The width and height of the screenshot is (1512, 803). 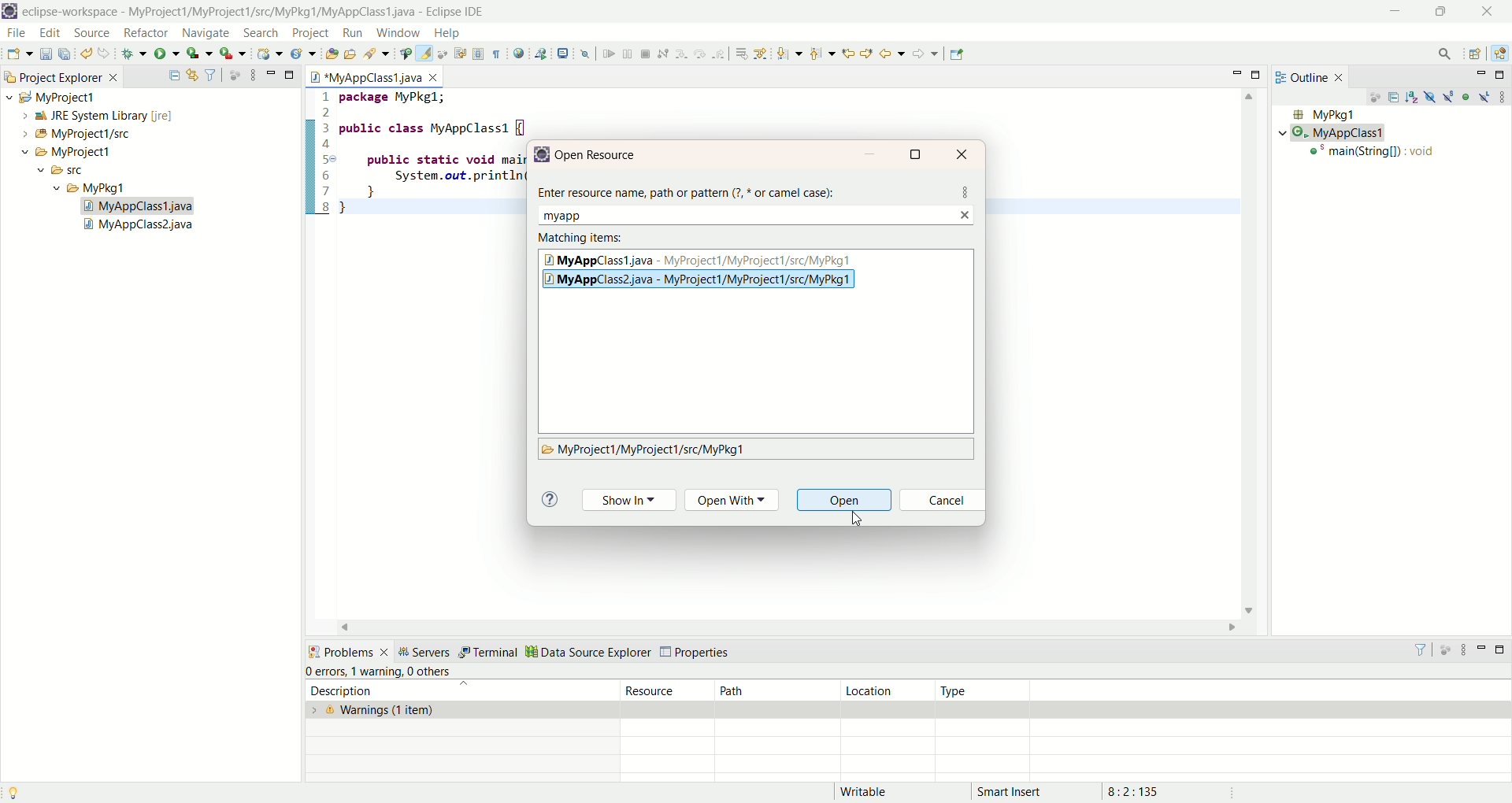 I want to click on search, so click(x=1445, y=55).